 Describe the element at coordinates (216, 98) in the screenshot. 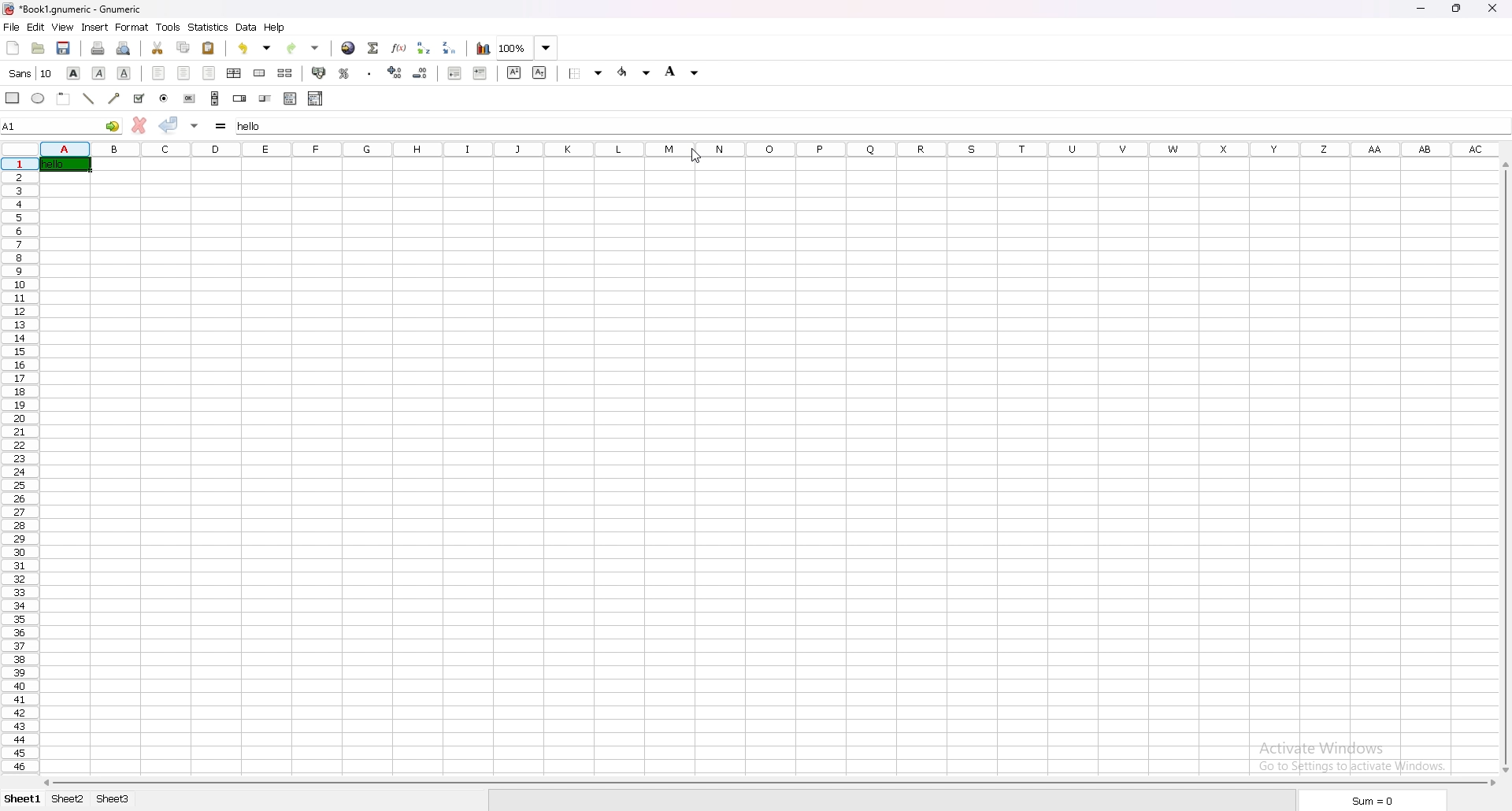

I see `scroll bar` at that location.